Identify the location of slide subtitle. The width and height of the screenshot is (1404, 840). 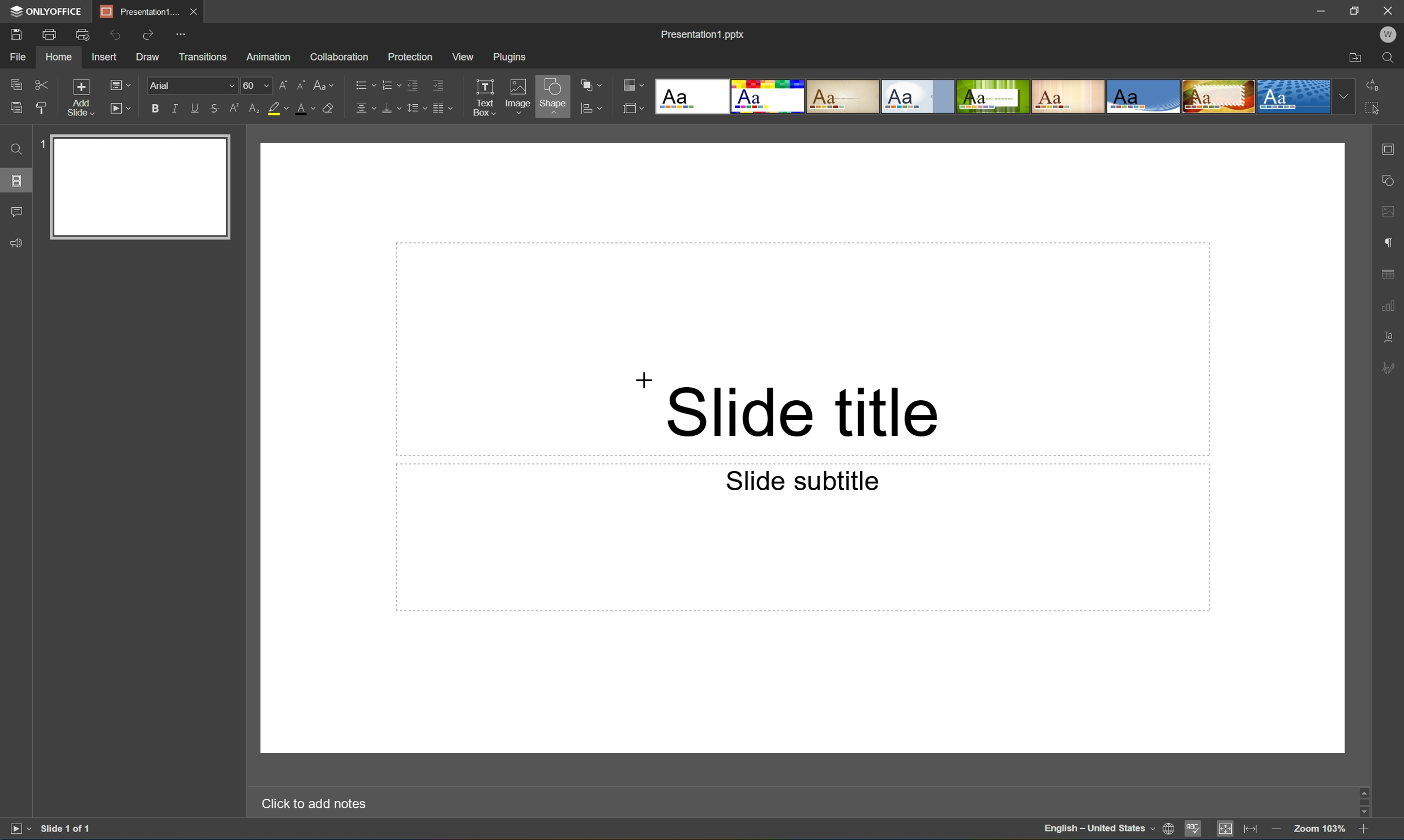
(796, 481).